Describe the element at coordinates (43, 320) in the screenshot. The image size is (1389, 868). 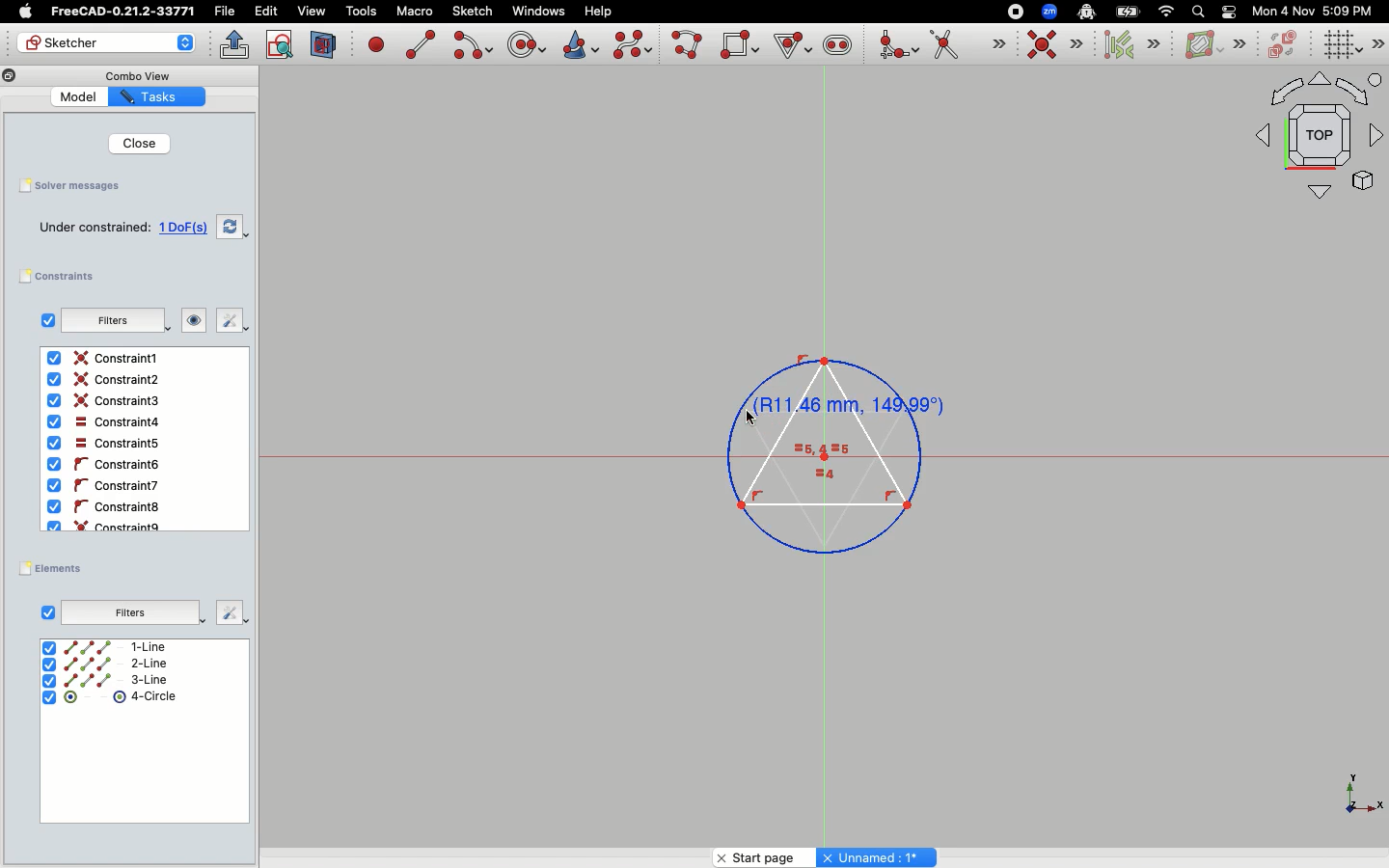
I see `Checkbox` at that location.